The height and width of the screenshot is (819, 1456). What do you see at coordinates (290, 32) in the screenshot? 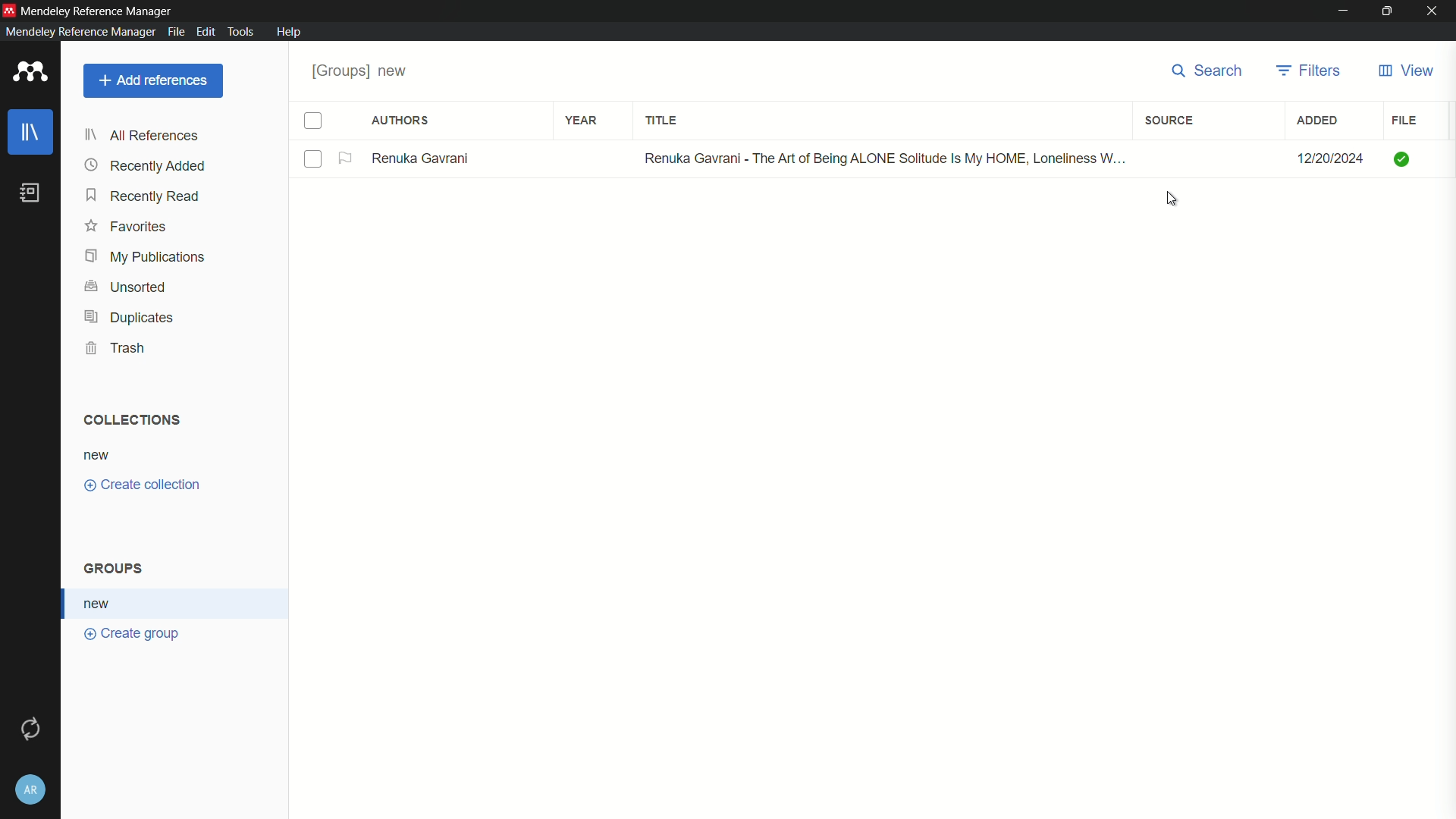
I see `help` at bounding box center [290, 32].